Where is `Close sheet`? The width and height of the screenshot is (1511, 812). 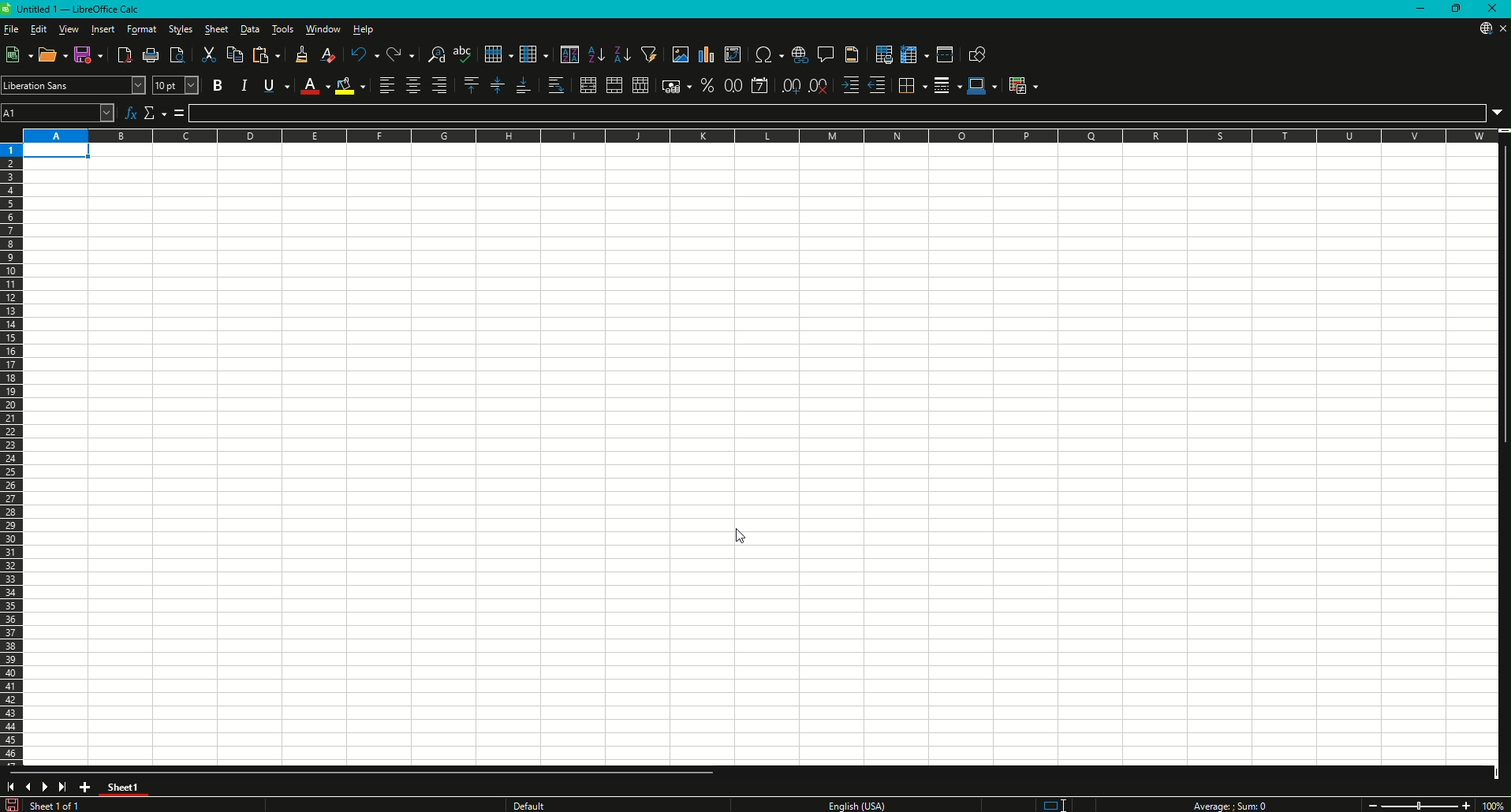
Close sheet is located at coordinates (1502, 28).